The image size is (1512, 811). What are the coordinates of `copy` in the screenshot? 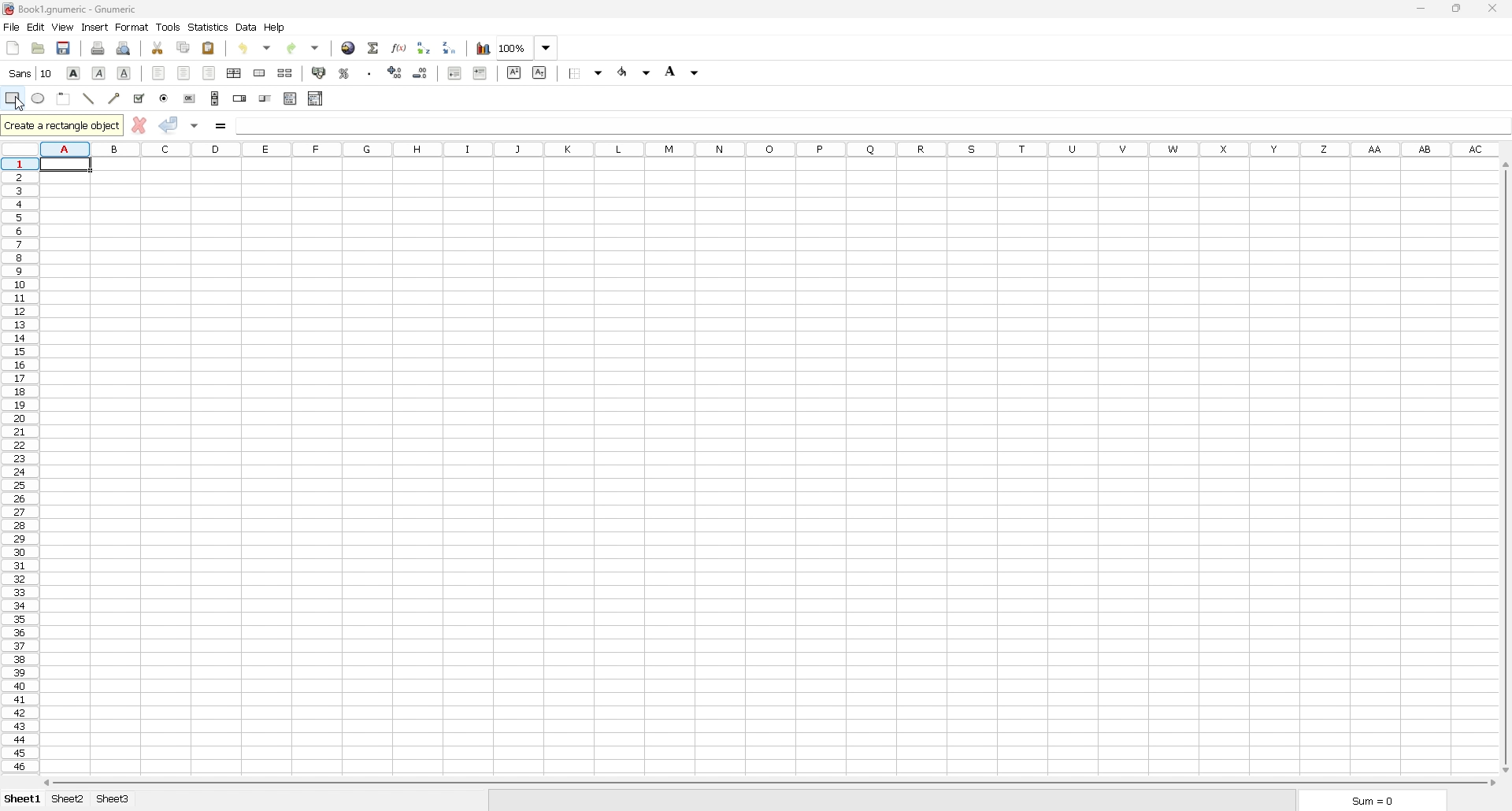 It's located at (183, 48).